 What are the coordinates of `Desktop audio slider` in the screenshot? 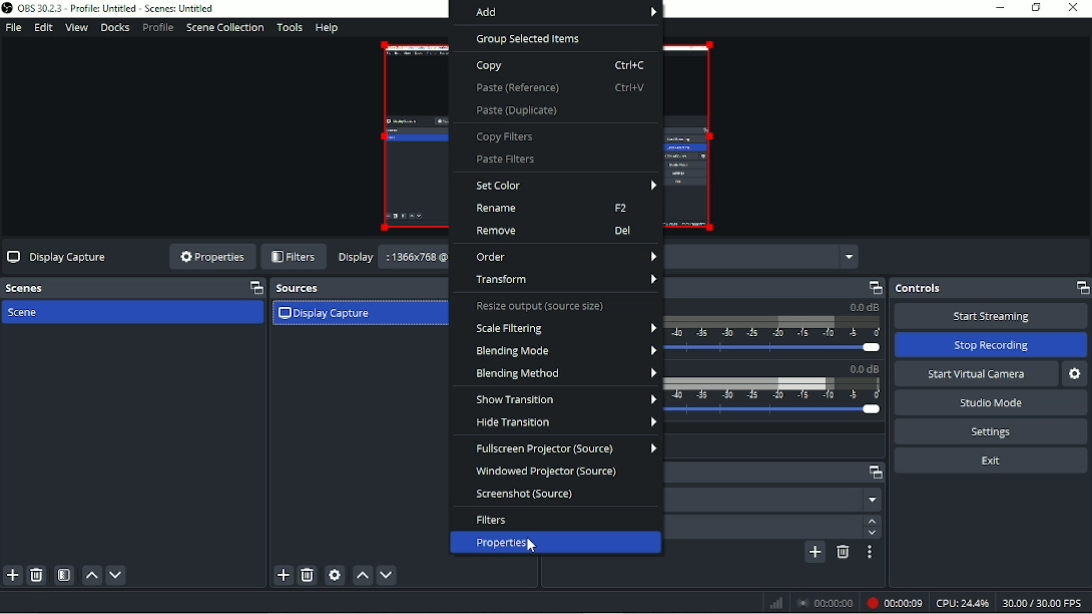 It's located at (776, 330).